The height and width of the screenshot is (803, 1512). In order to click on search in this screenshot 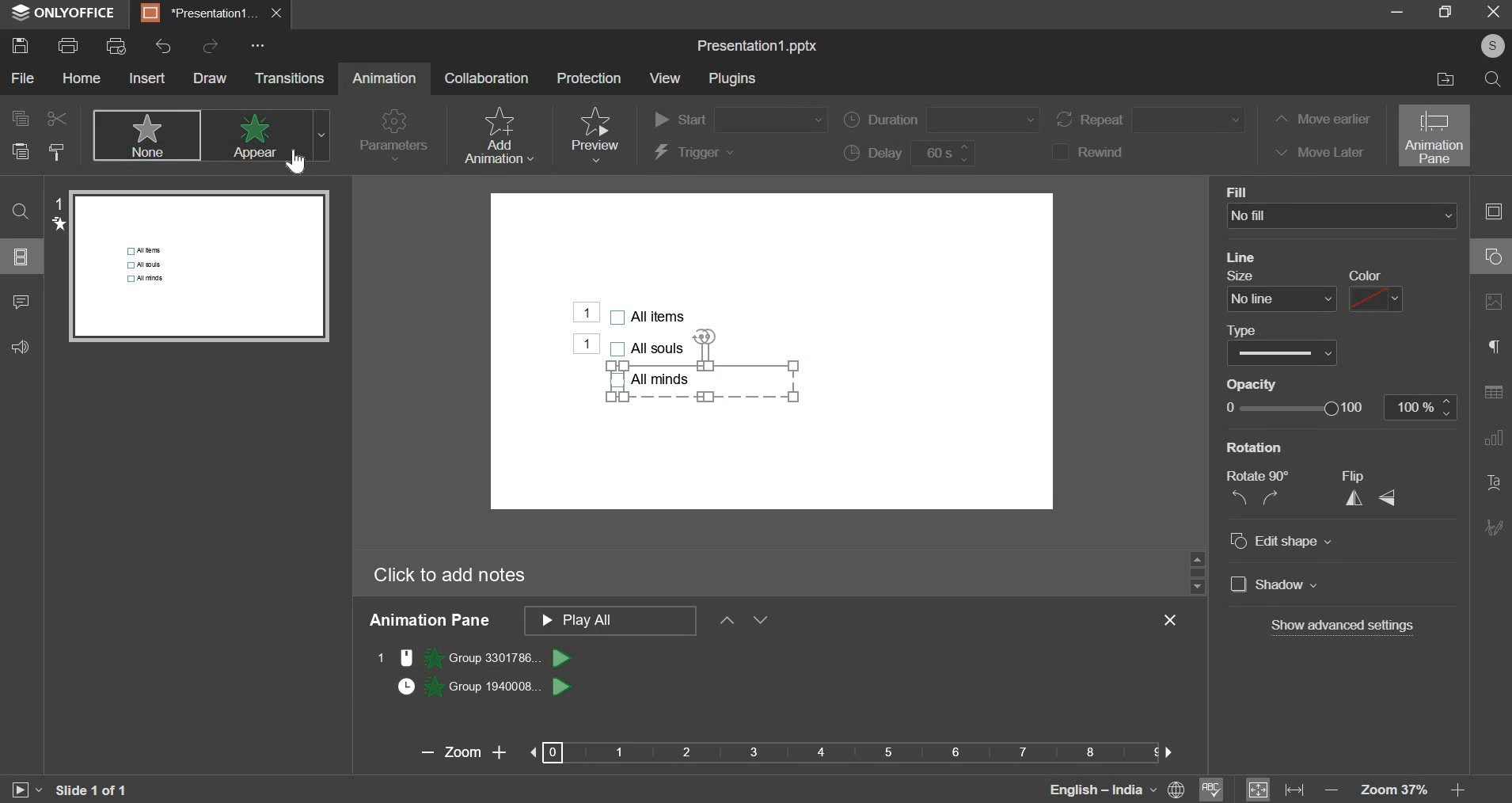, I will do `click(1492, 78)`.